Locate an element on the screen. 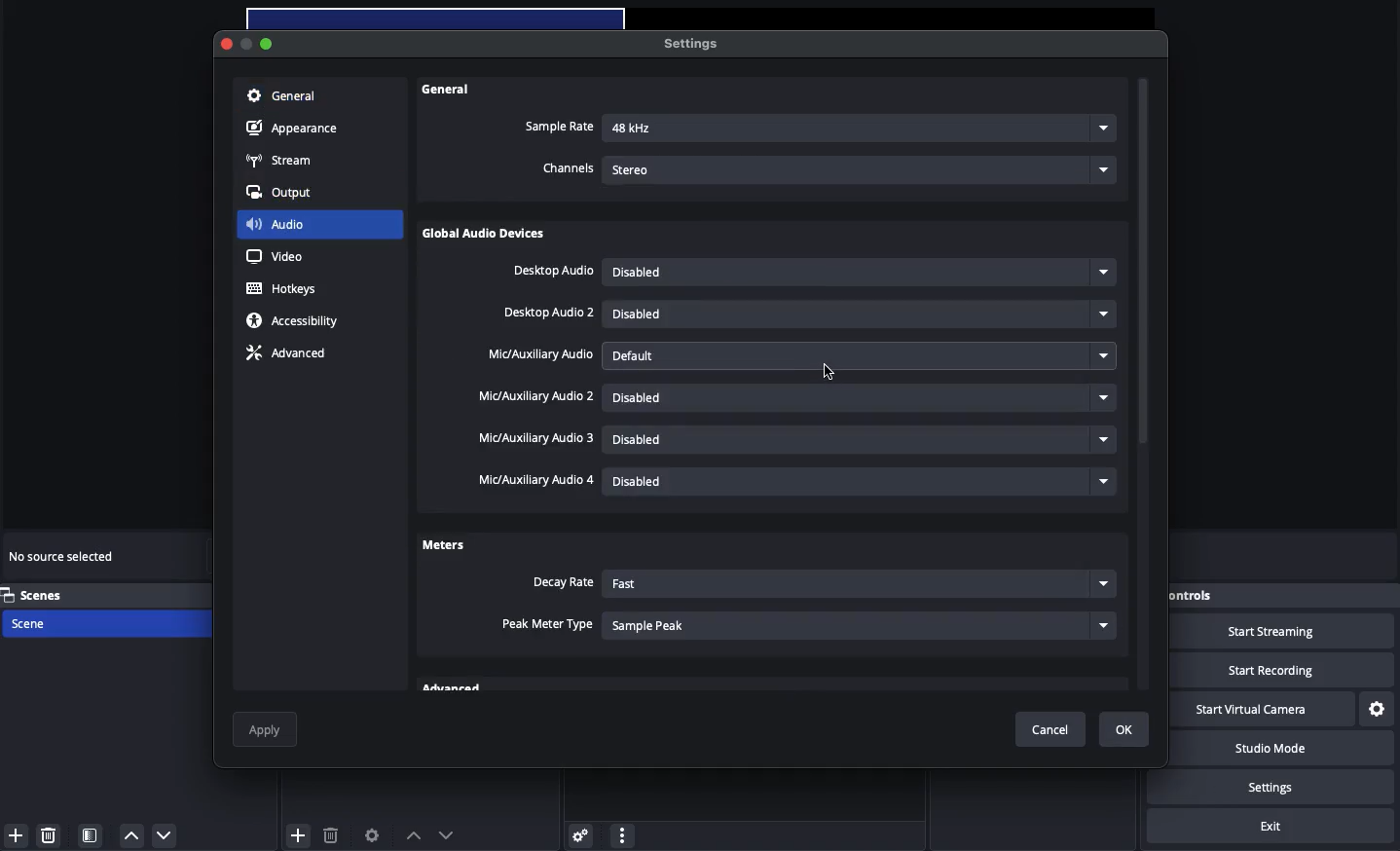  Sample Peak is located at coordinates (861, 624).